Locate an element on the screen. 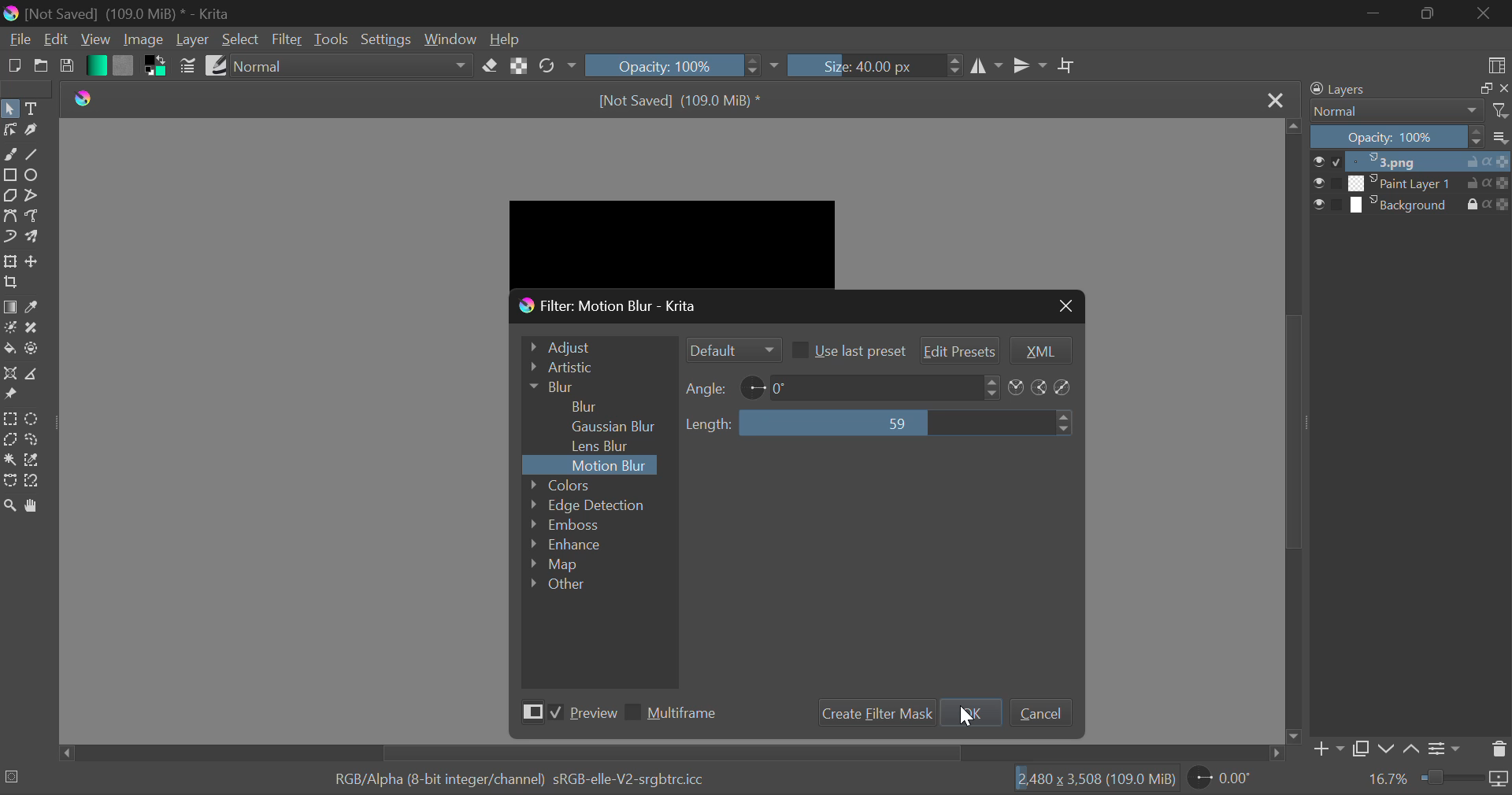  Rotate is located at coordinates (558, 65).